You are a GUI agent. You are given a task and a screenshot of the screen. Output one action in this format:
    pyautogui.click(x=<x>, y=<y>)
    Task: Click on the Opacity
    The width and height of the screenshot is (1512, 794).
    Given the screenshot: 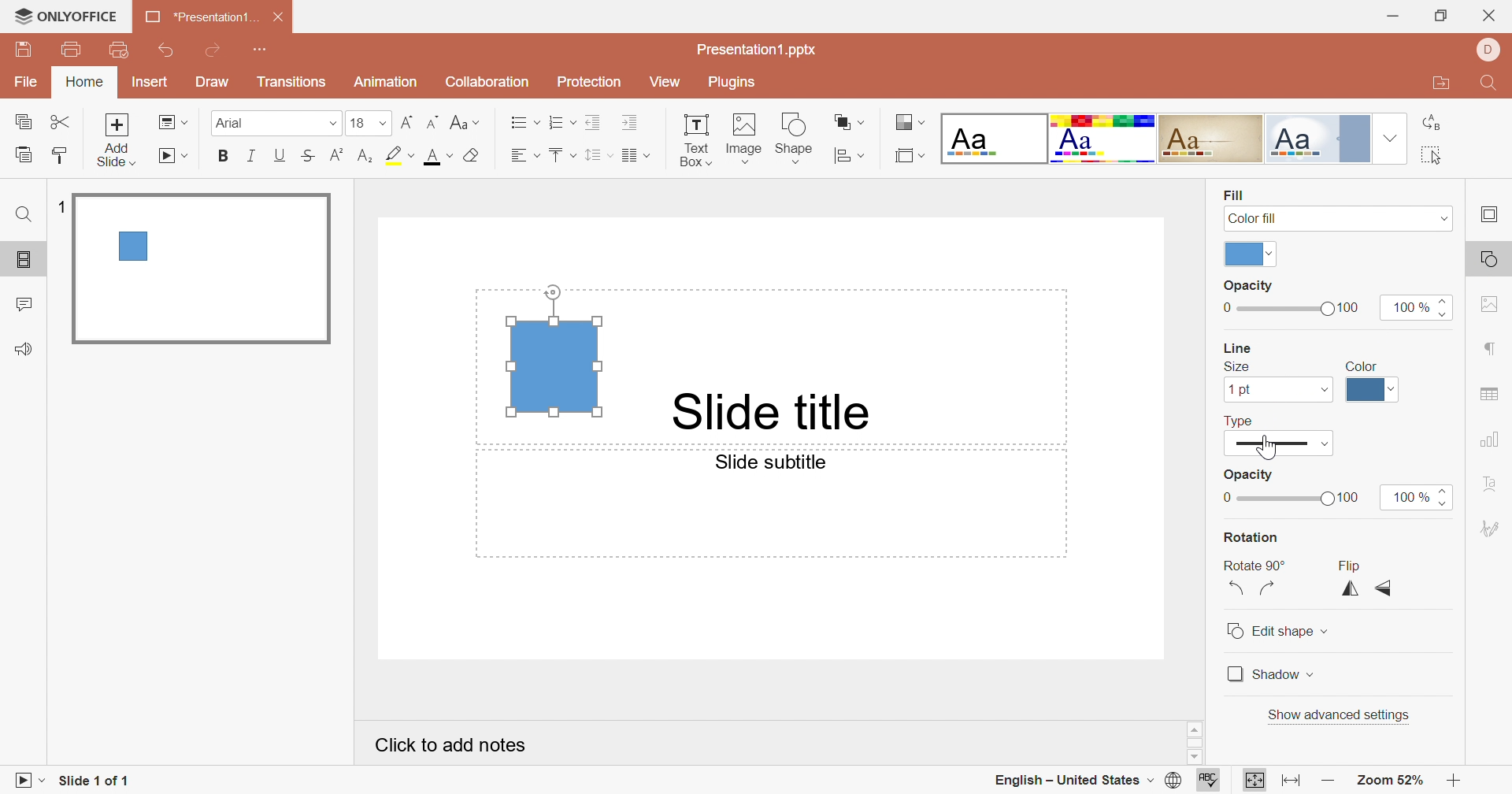 What is the action you would take?
    pyautogui.click(x=1250, y=473)
    